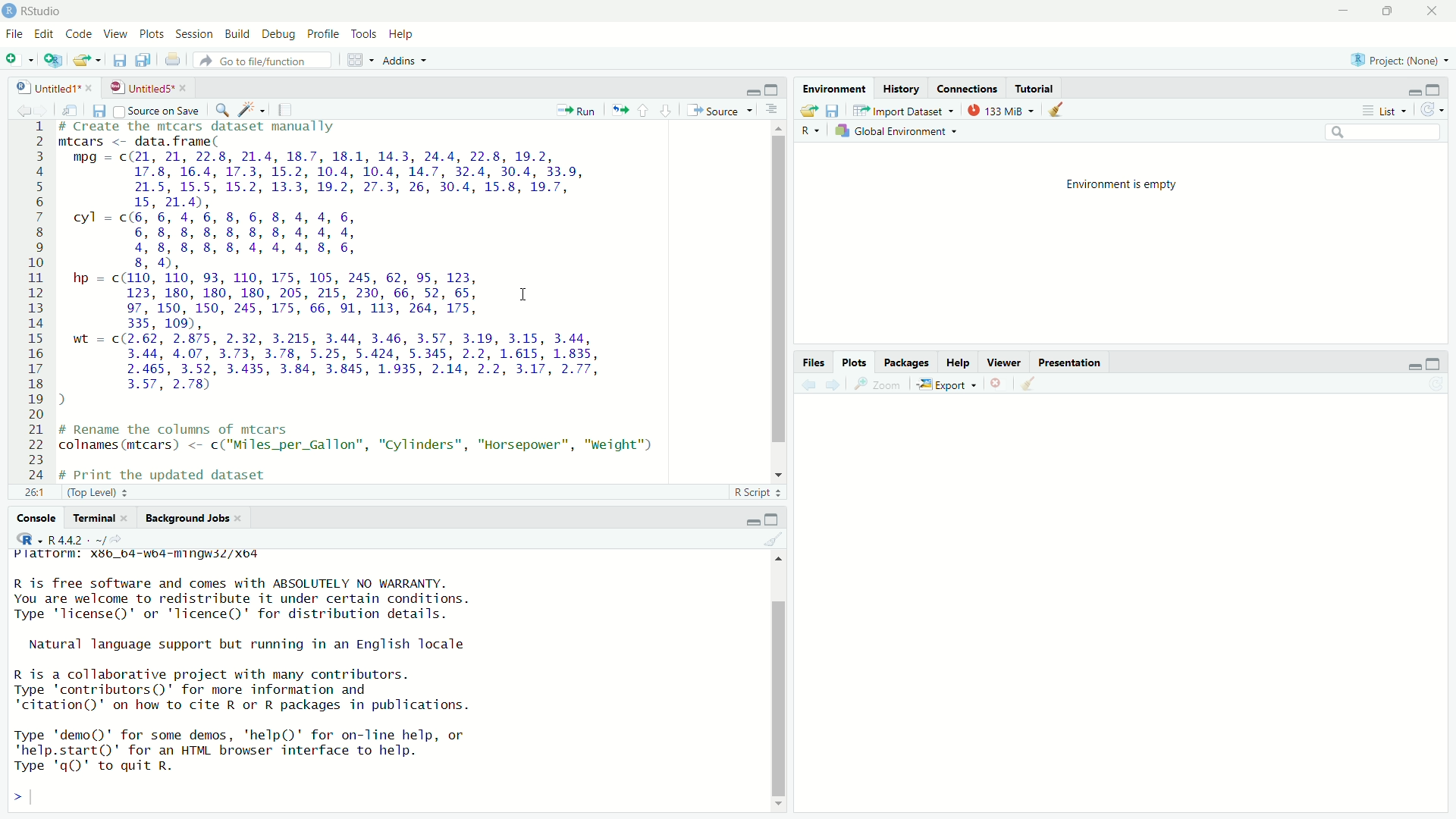 Image resolution: width=1456 pixels, height=819 pixels. Describe the element at coordinates (577, 111) in the screenshot. I see `Run` at that location.